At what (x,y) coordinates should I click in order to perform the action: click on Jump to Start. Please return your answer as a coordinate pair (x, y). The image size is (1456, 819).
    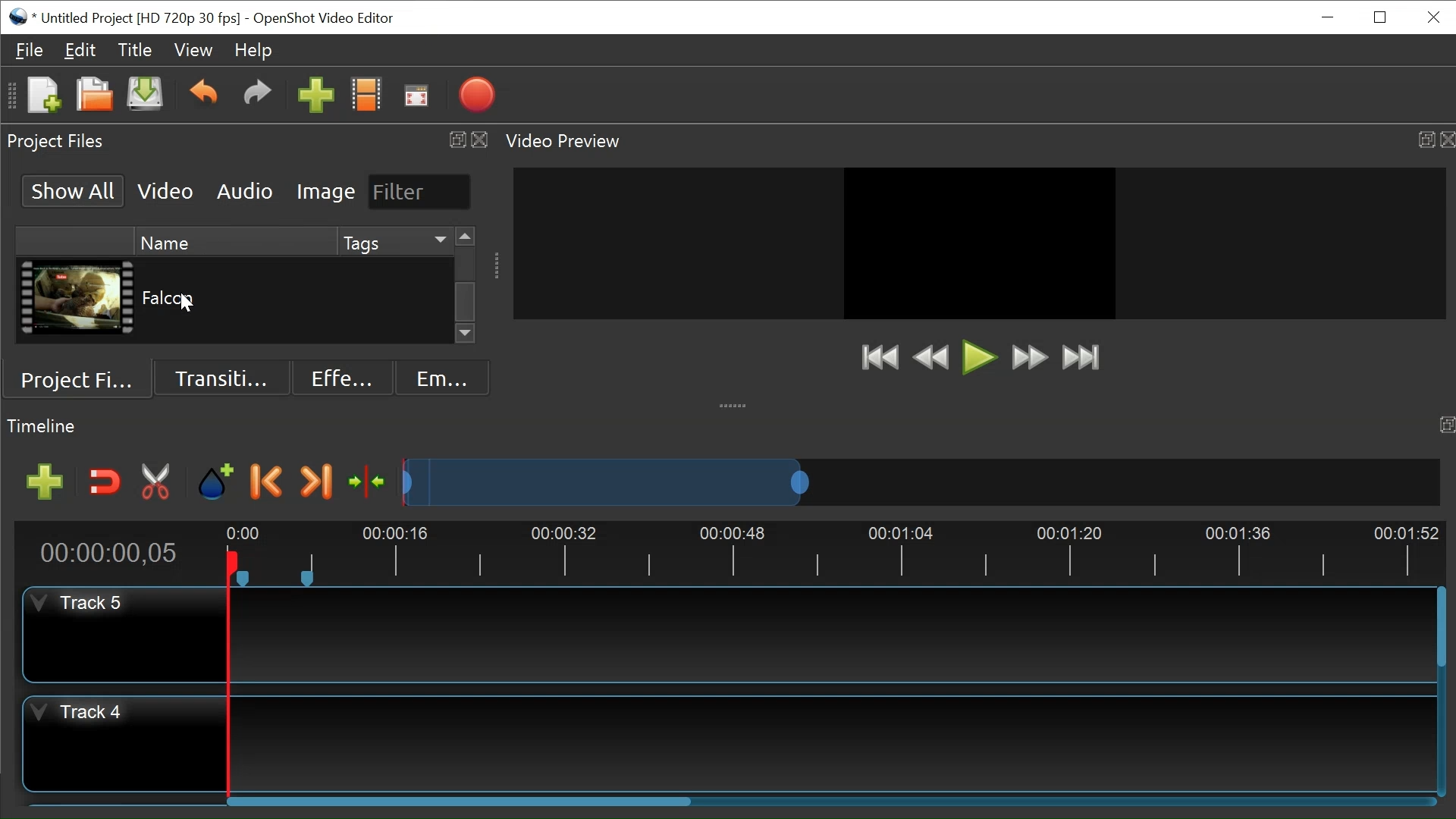
    Looking at the image, I should click on (879, 359).